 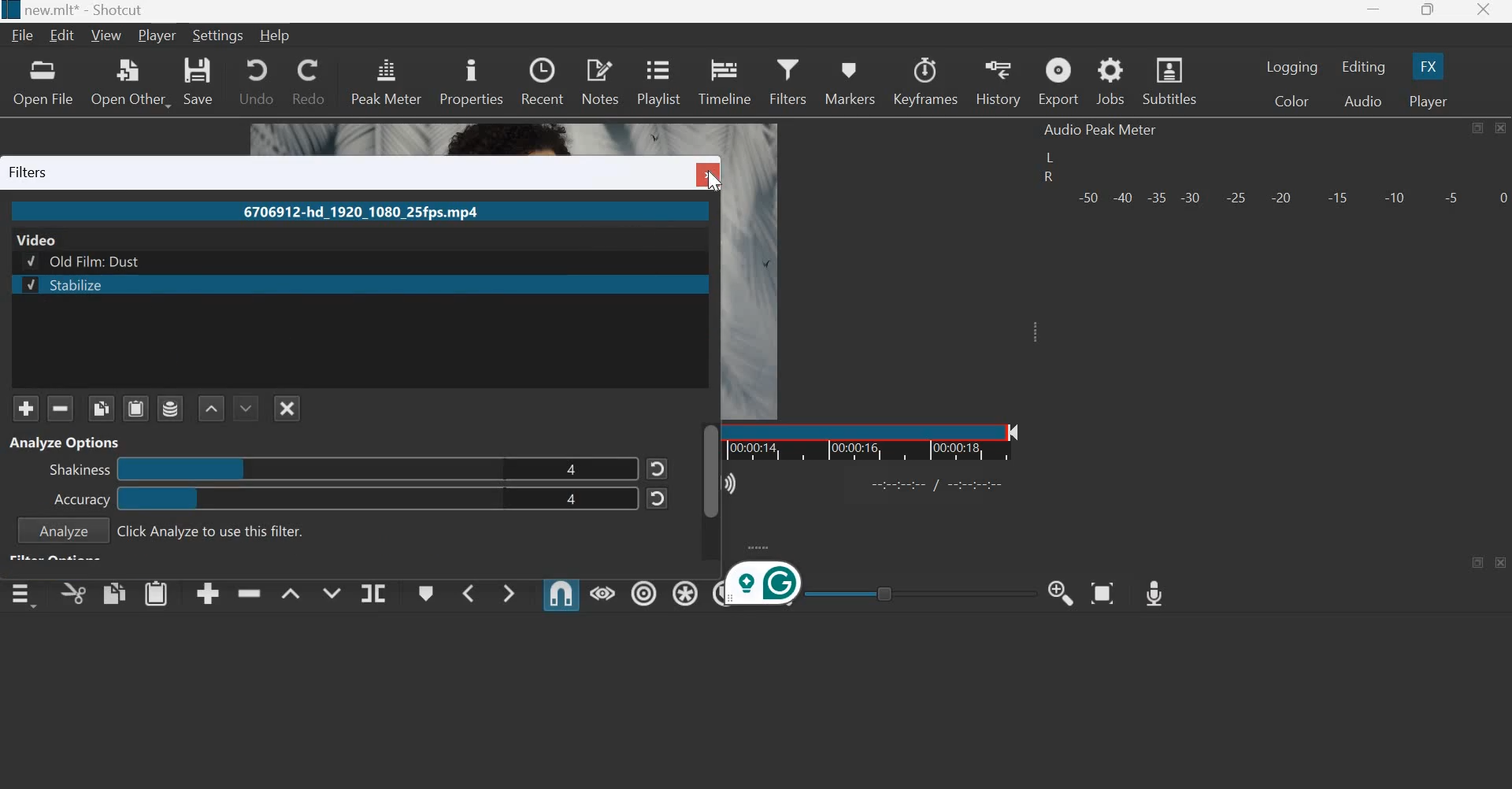 I want to click on Zoom Timeline to Fit, so click(x=1102, y=593).